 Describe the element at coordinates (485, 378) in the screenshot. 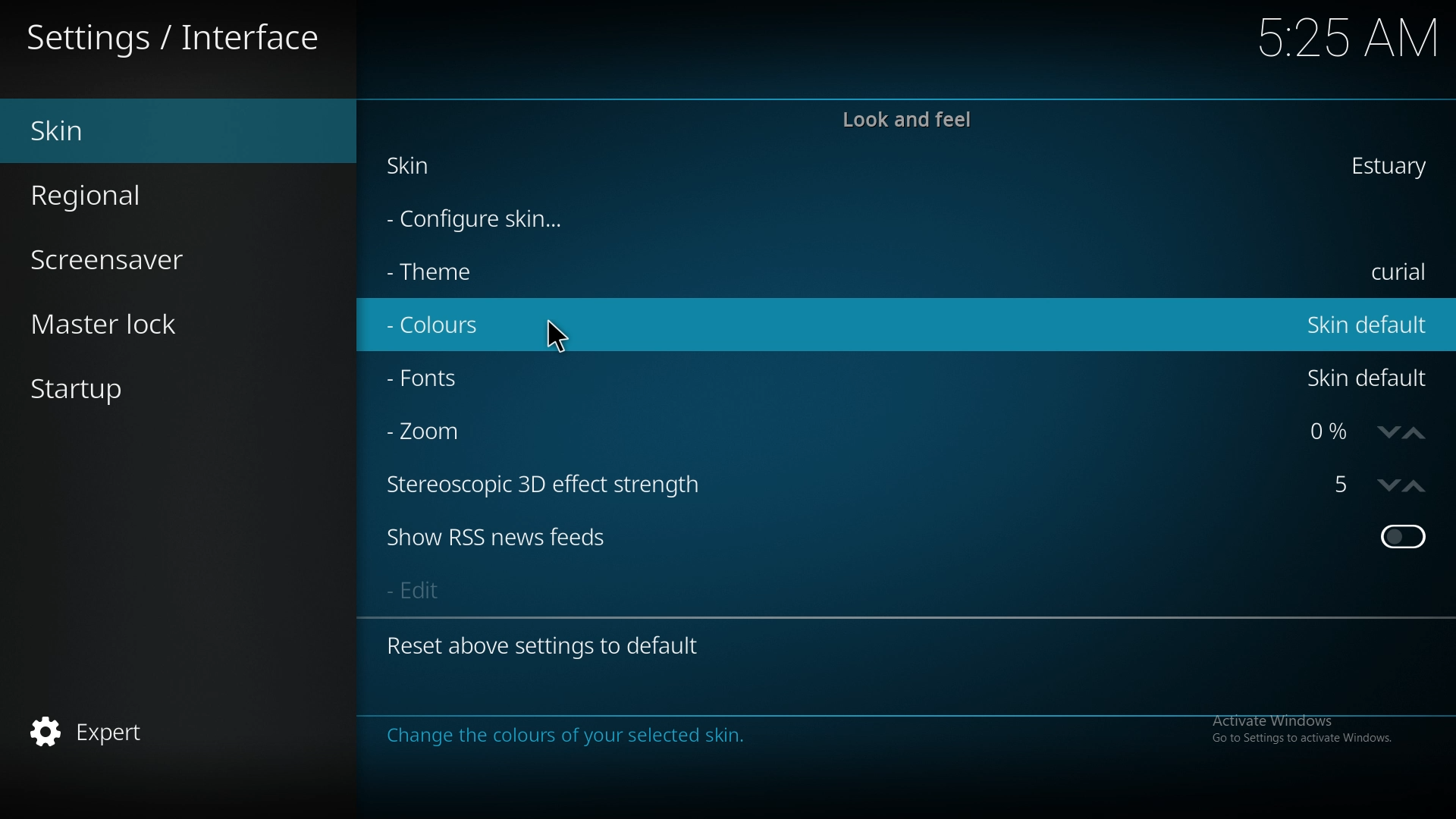

I see `fonts` at that location.